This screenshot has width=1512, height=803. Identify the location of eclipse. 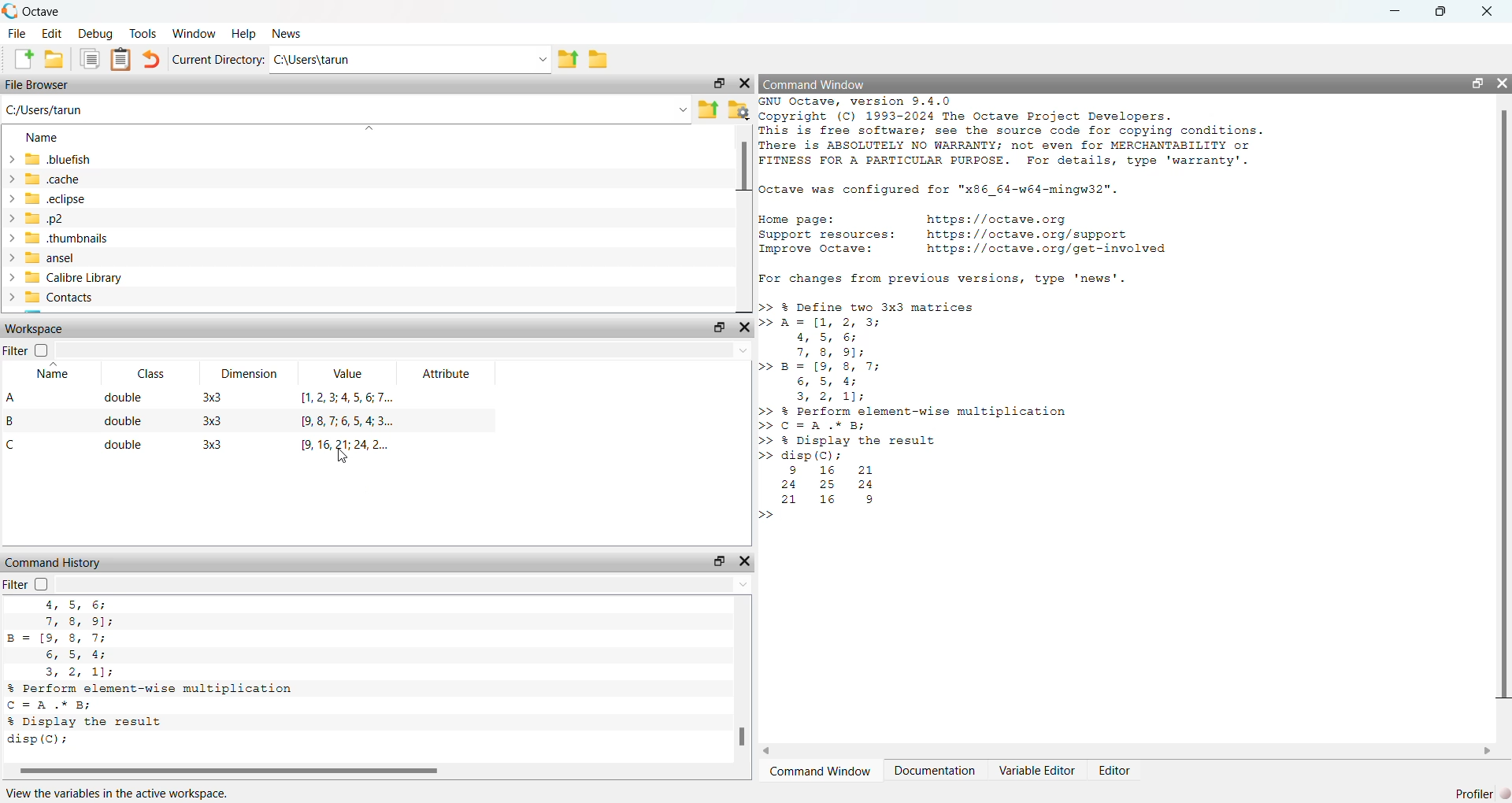
(48, 199).